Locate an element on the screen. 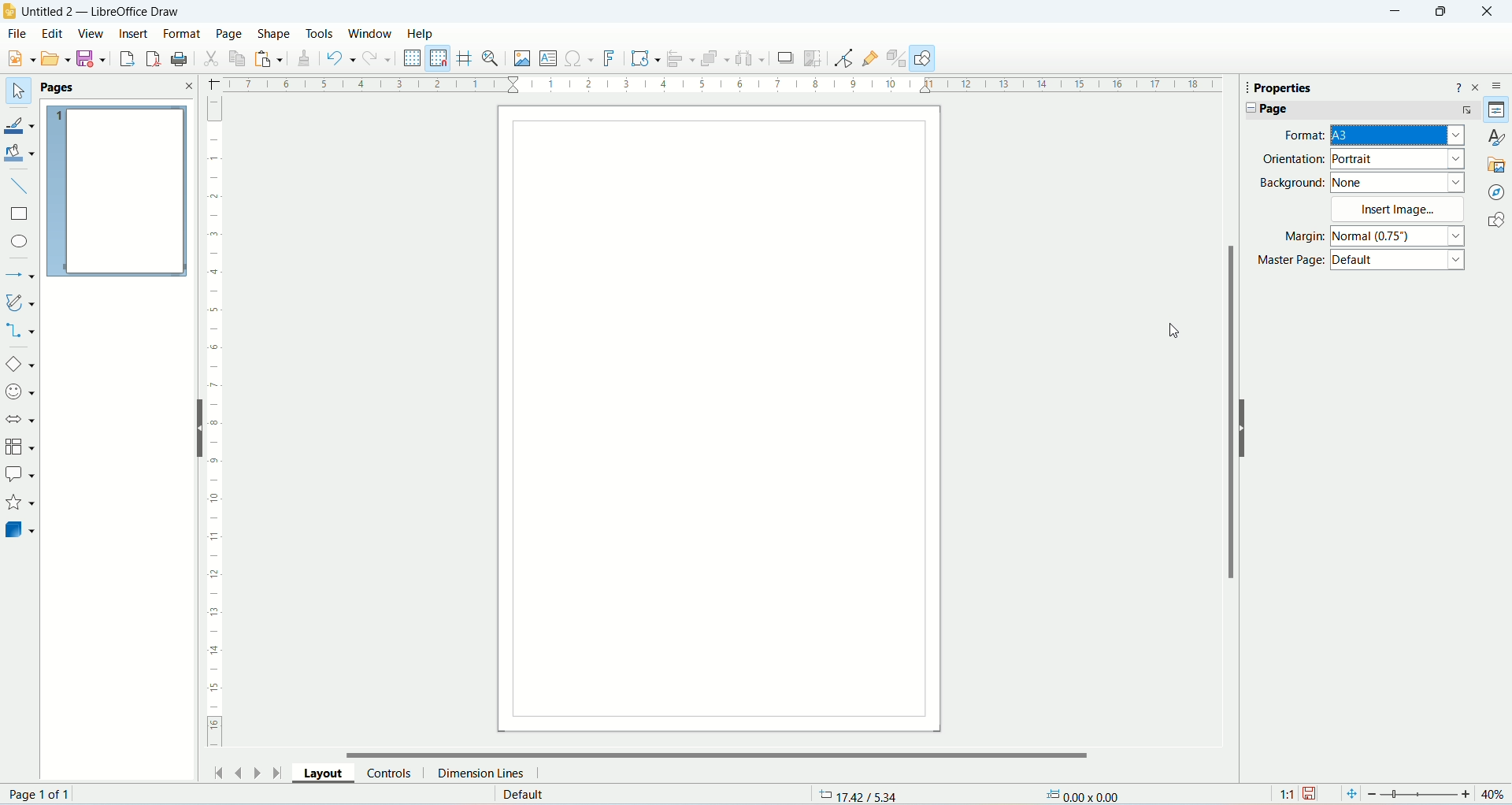 This screenshot has width=1512, height=805. window is located at coordinates (370, 33).